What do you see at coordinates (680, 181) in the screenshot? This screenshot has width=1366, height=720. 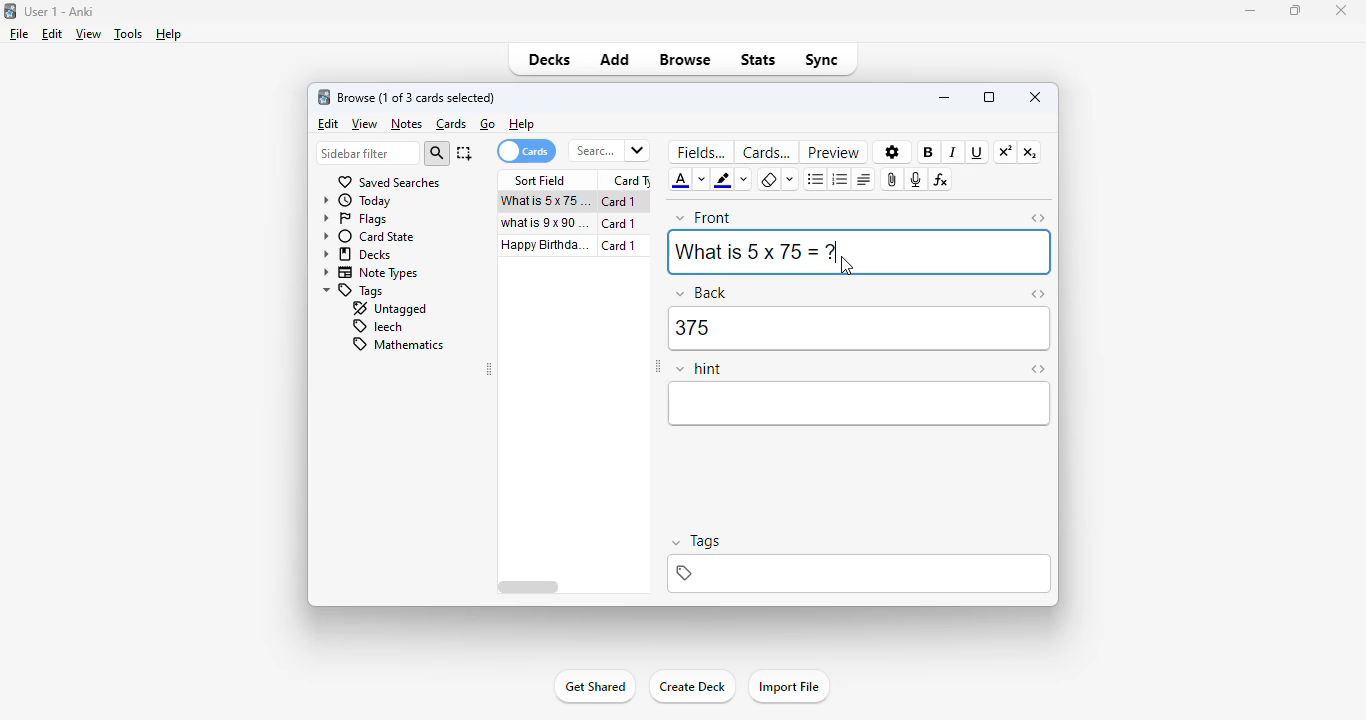 I see `text color` at bounding box center [680, 181].